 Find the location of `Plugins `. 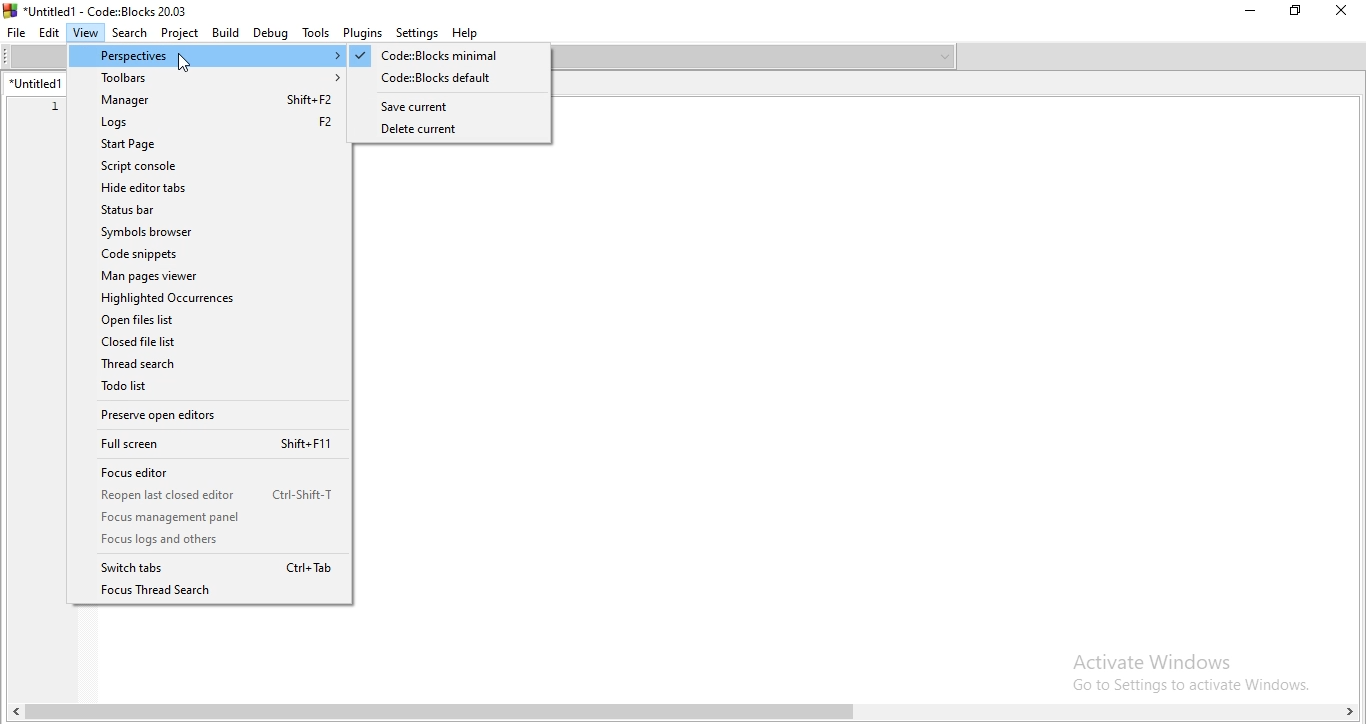

Plugins  is located at coordinates (362, 30).